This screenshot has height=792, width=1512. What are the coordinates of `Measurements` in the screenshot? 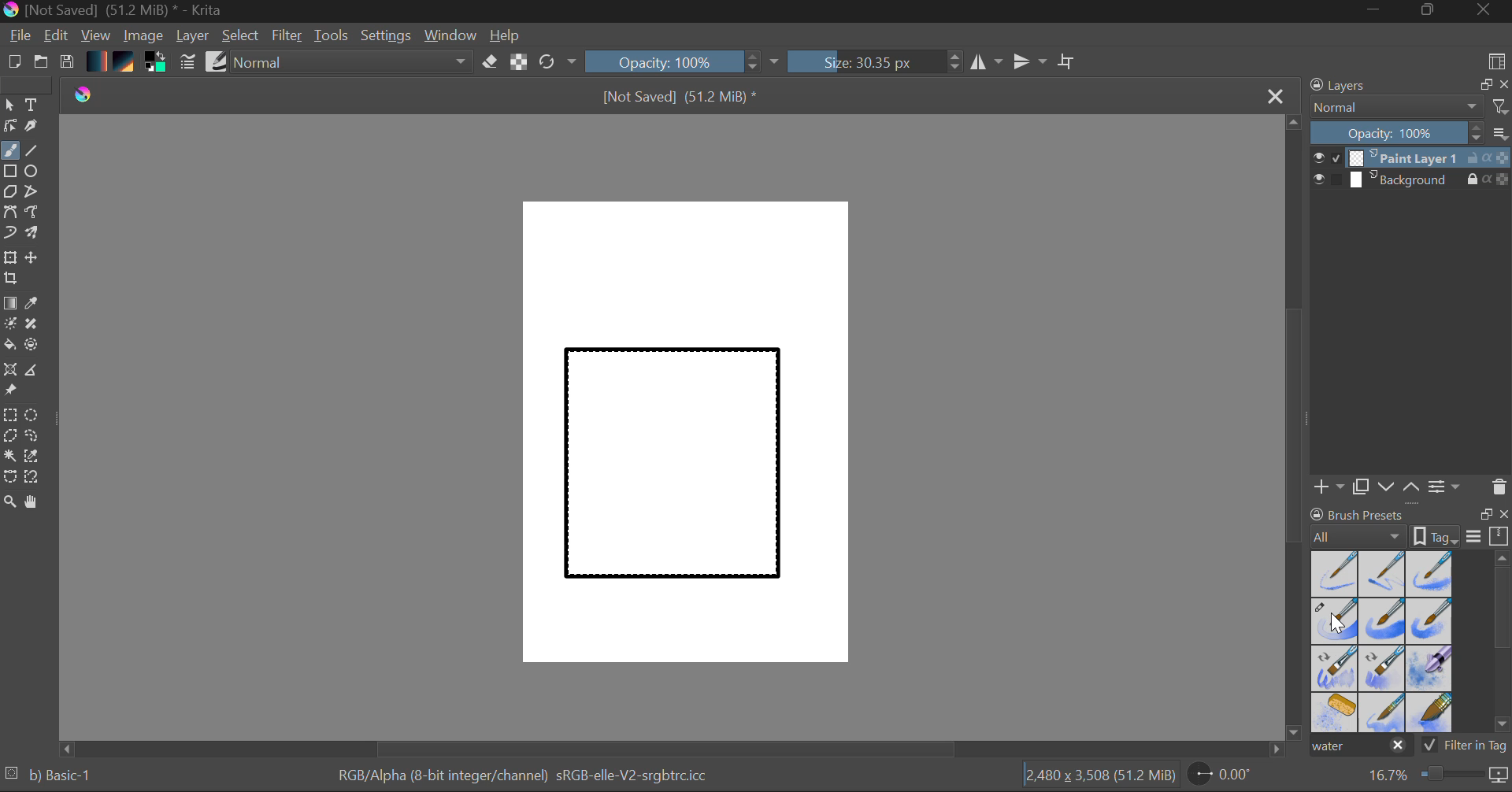 It's located at (34, 372).